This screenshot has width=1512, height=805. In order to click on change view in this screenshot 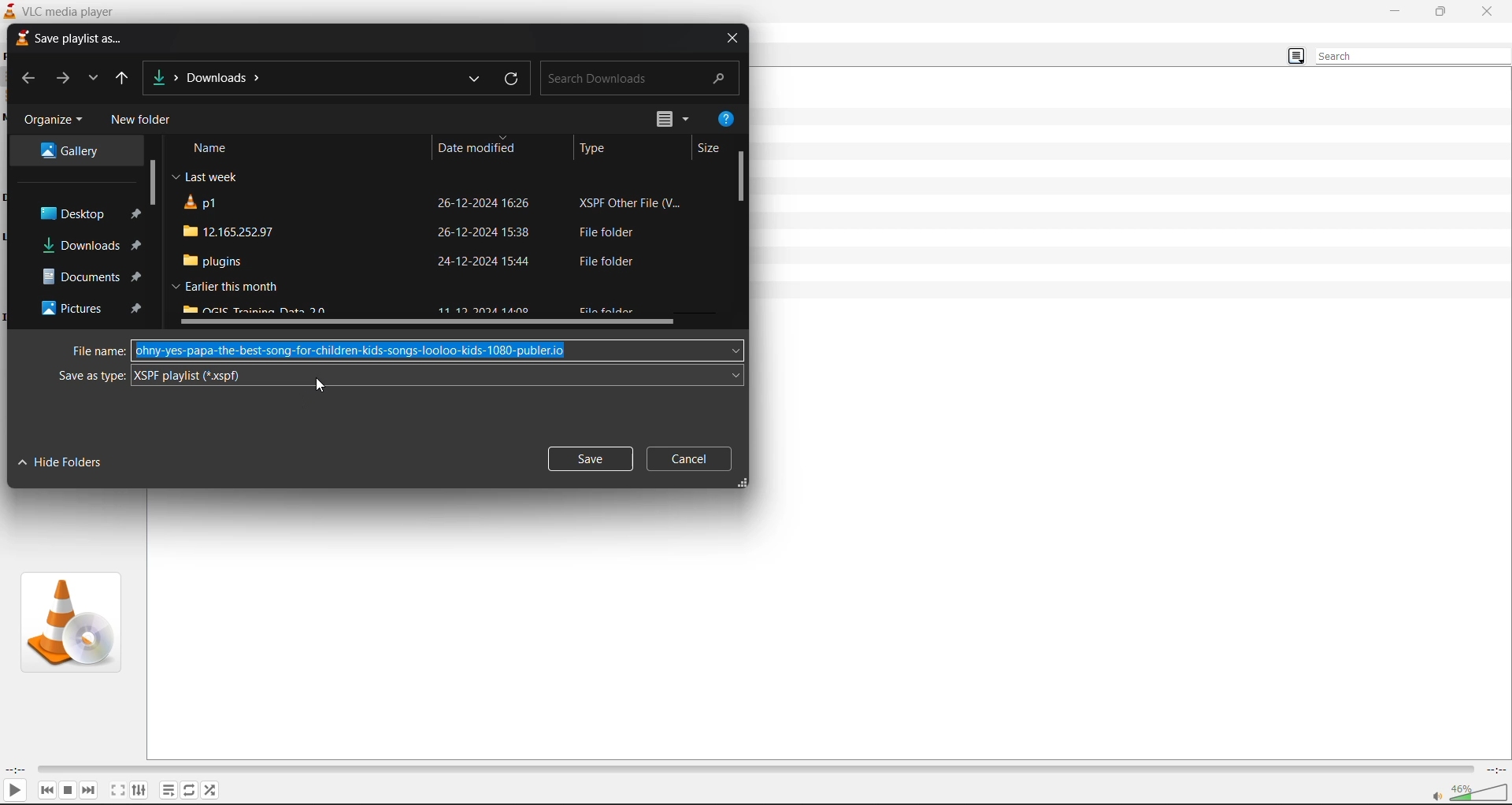, I will do `click(674, 120)`.